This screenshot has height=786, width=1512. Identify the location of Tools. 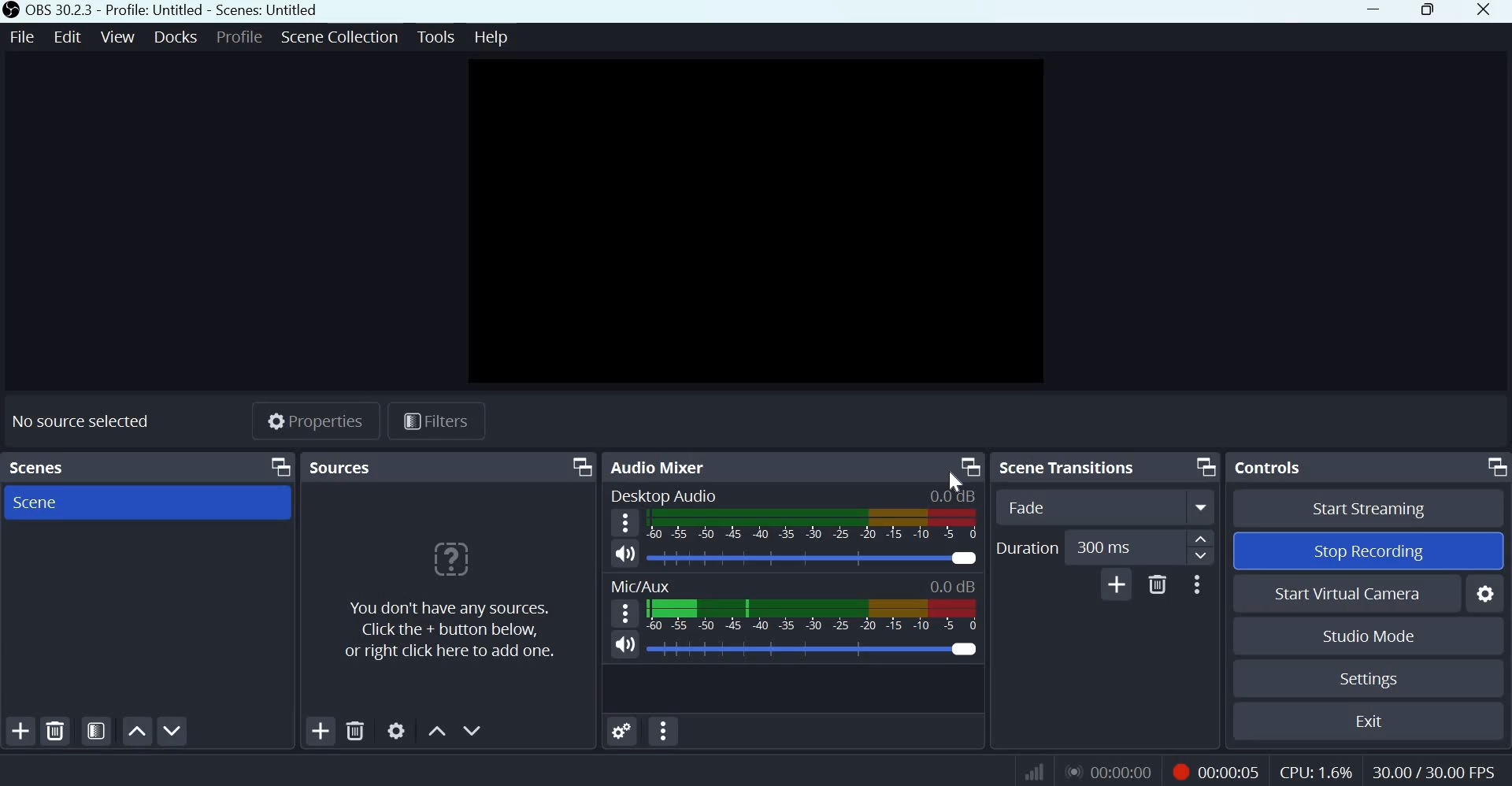
(435, 37).